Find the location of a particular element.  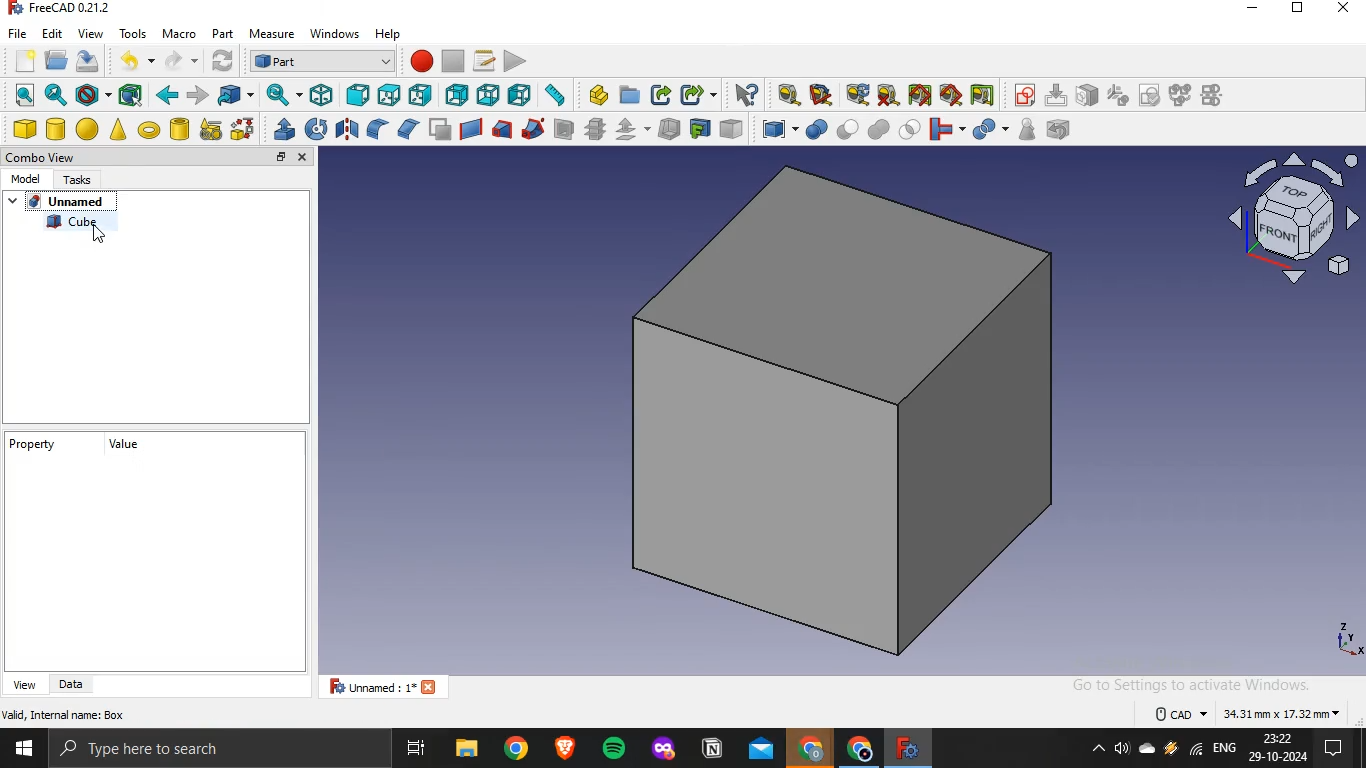

refresh is located at coordinates (857, 94).